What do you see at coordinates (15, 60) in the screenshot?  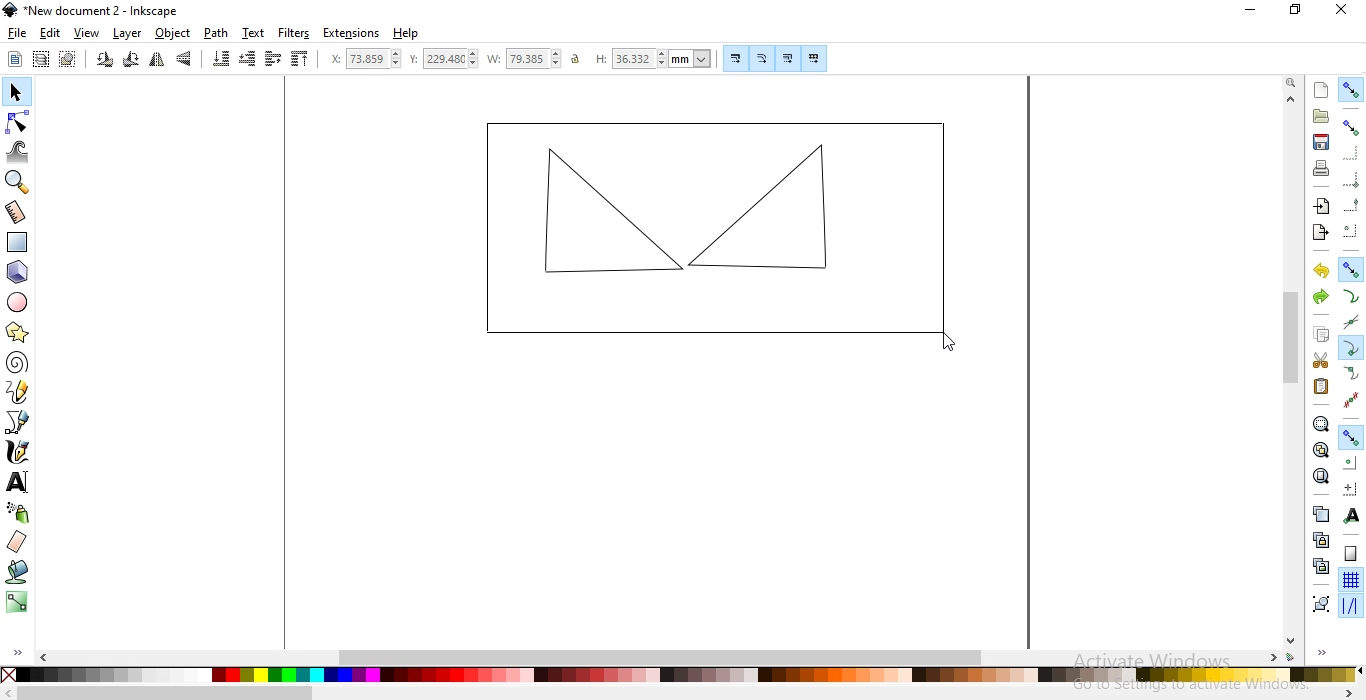 I see `select all objects or nodes` at bounding box center [15, 60].